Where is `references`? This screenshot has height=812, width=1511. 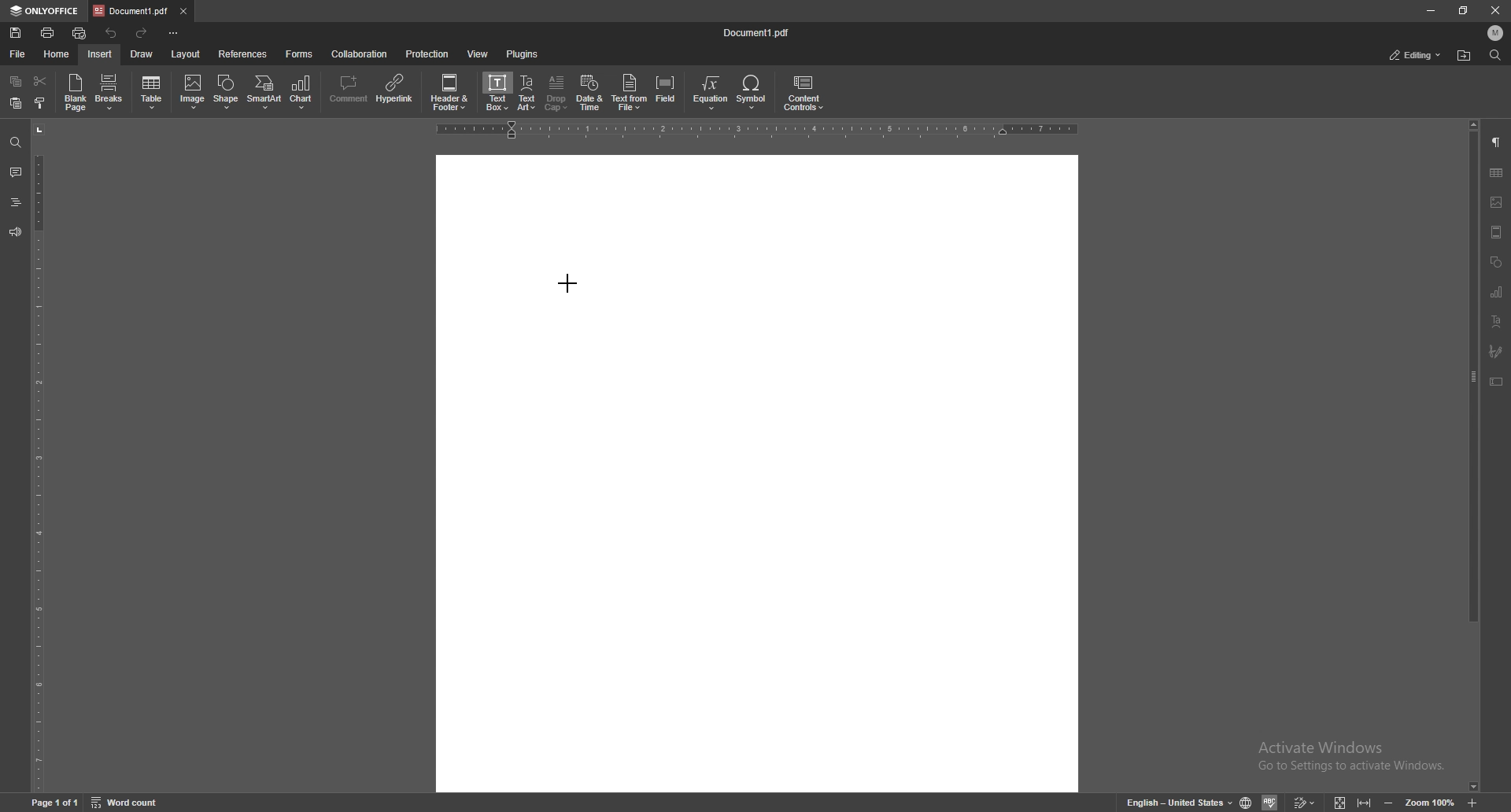
references is located at coordinates (243, 54).